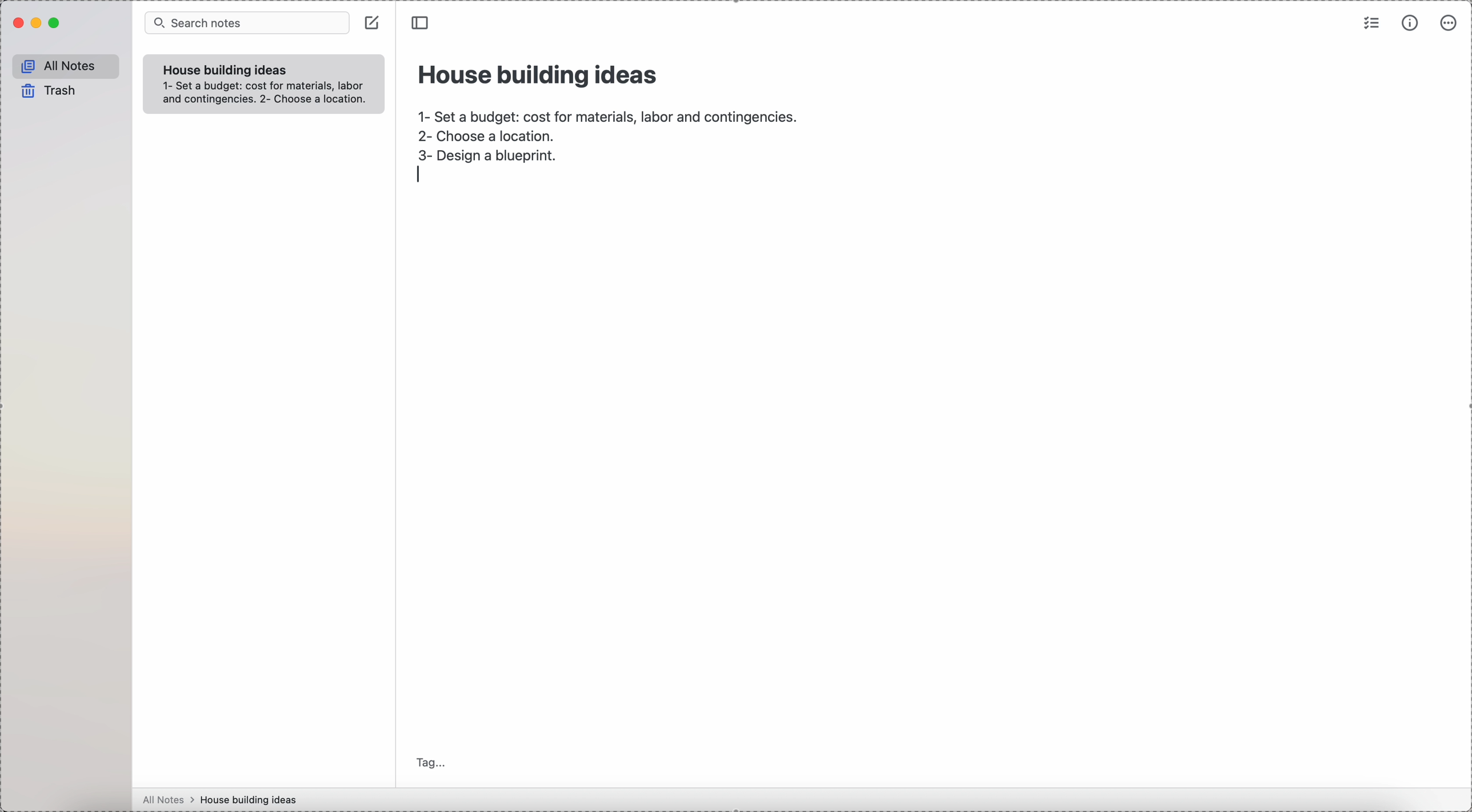 Image resolution: width=1472 pixels, height=812 pixels. Describe the element at coordinates (490, 157) in the screenshot. I see `design a blueprint` at that location.